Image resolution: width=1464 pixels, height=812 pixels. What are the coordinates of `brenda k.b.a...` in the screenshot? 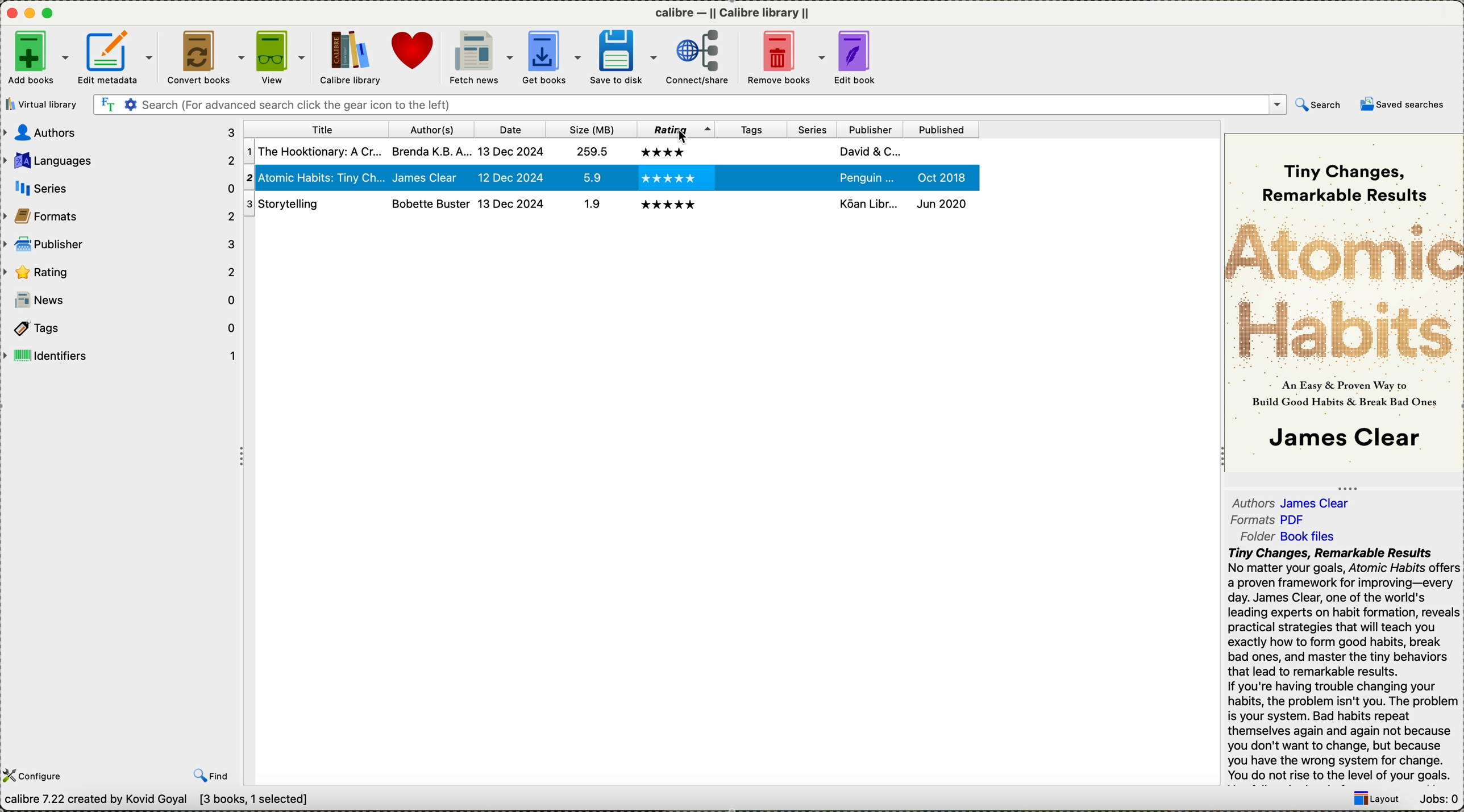 It's located at (430, 176).